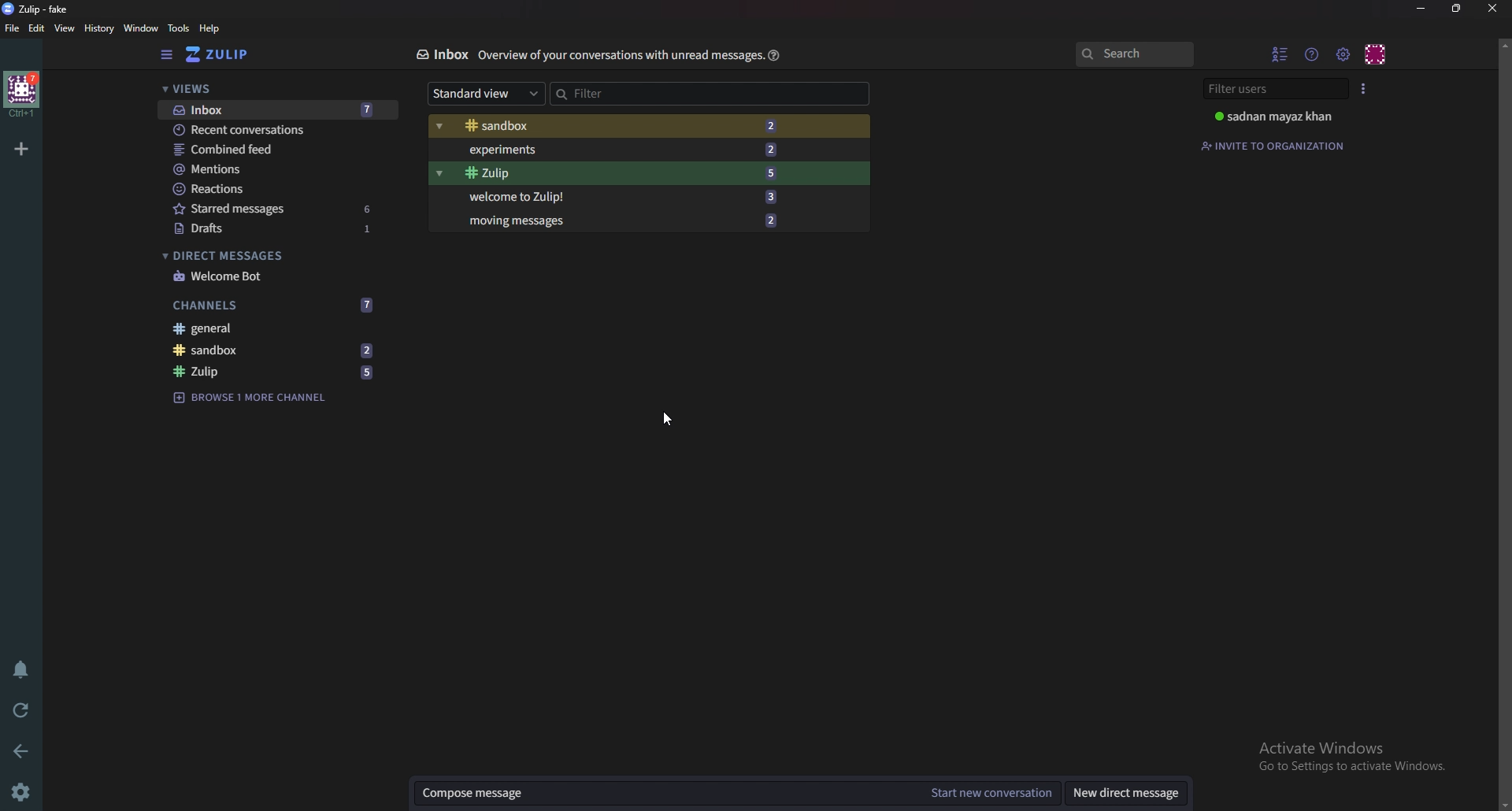 The image size is (1512, 811). I want to click on Add organization, so click(24, 149).